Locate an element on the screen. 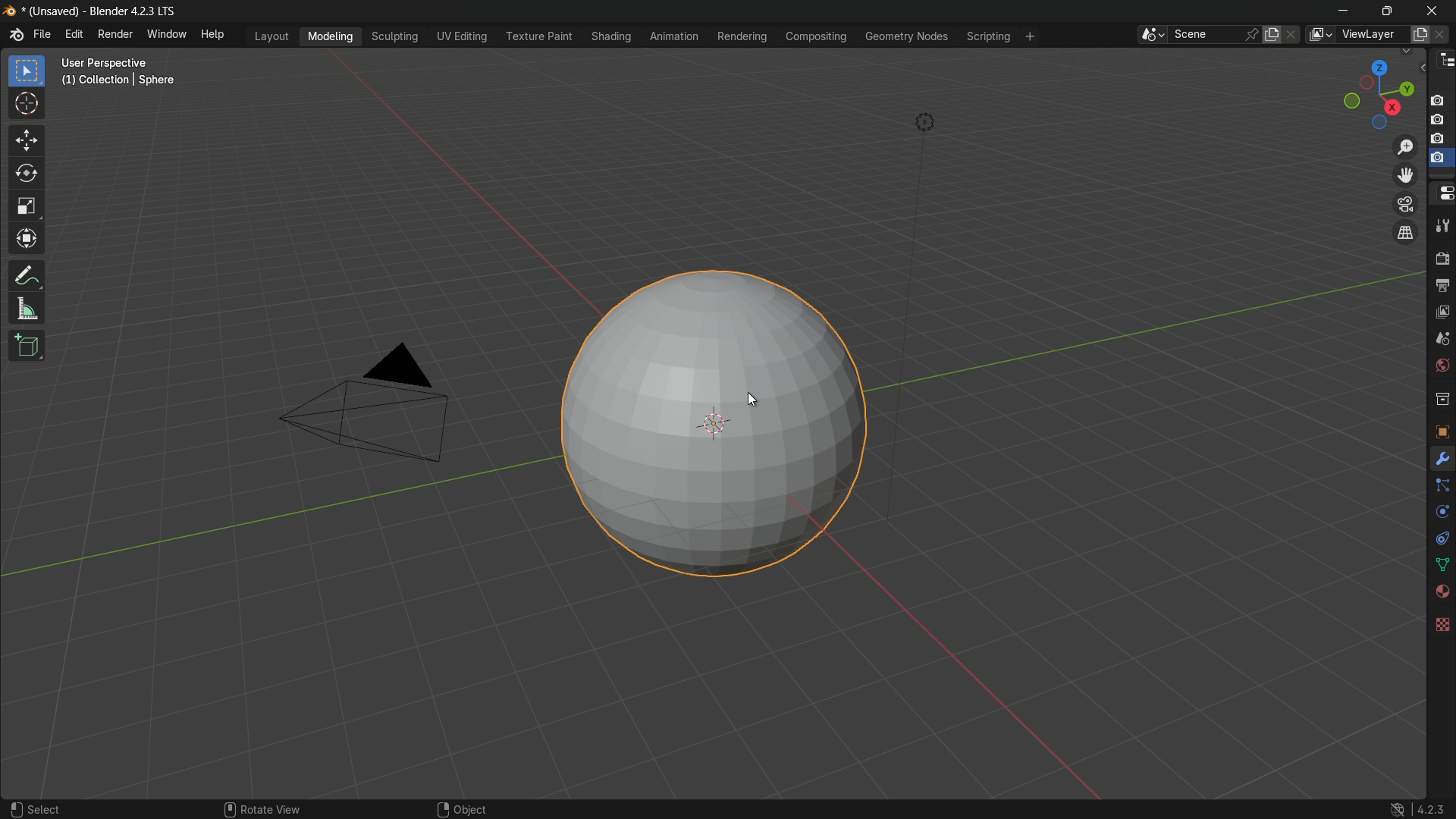  material is located at coordinates (1442, 591).